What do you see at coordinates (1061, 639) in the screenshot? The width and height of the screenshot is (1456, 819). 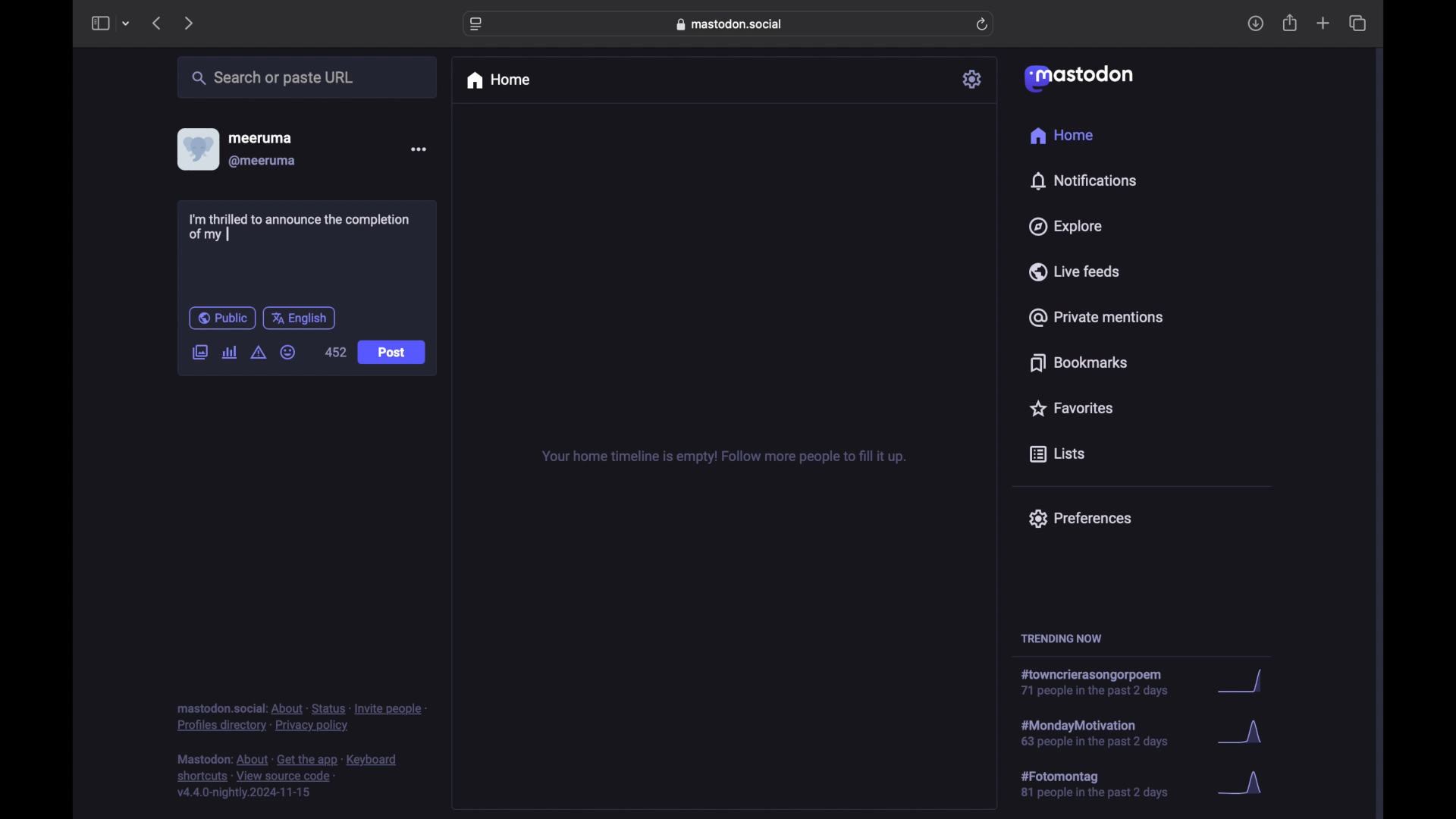 I see `trending now` at bounding box center [1061, 639].